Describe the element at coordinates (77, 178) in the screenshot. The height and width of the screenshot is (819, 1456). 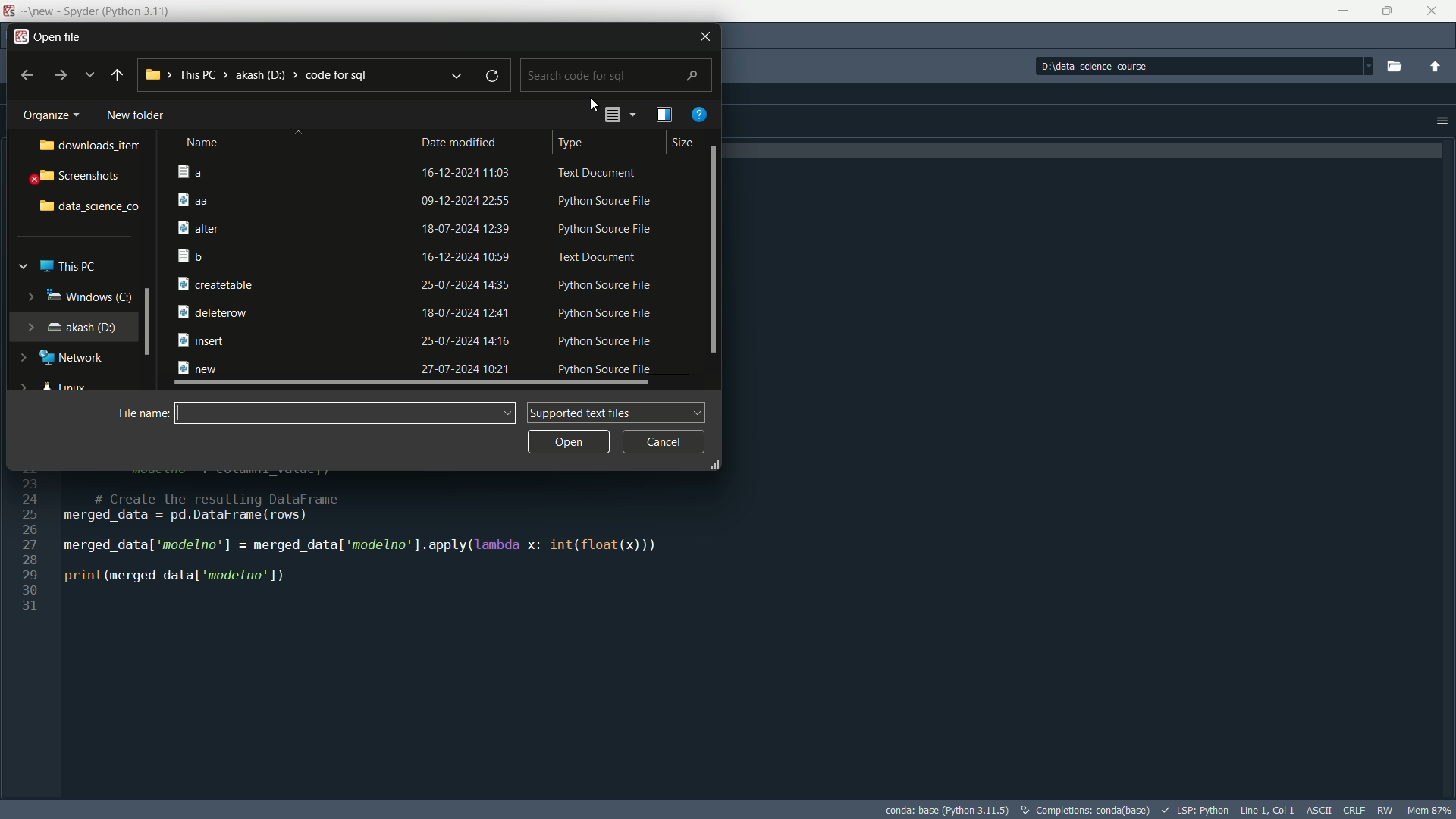
I see `screenshots` at that location.